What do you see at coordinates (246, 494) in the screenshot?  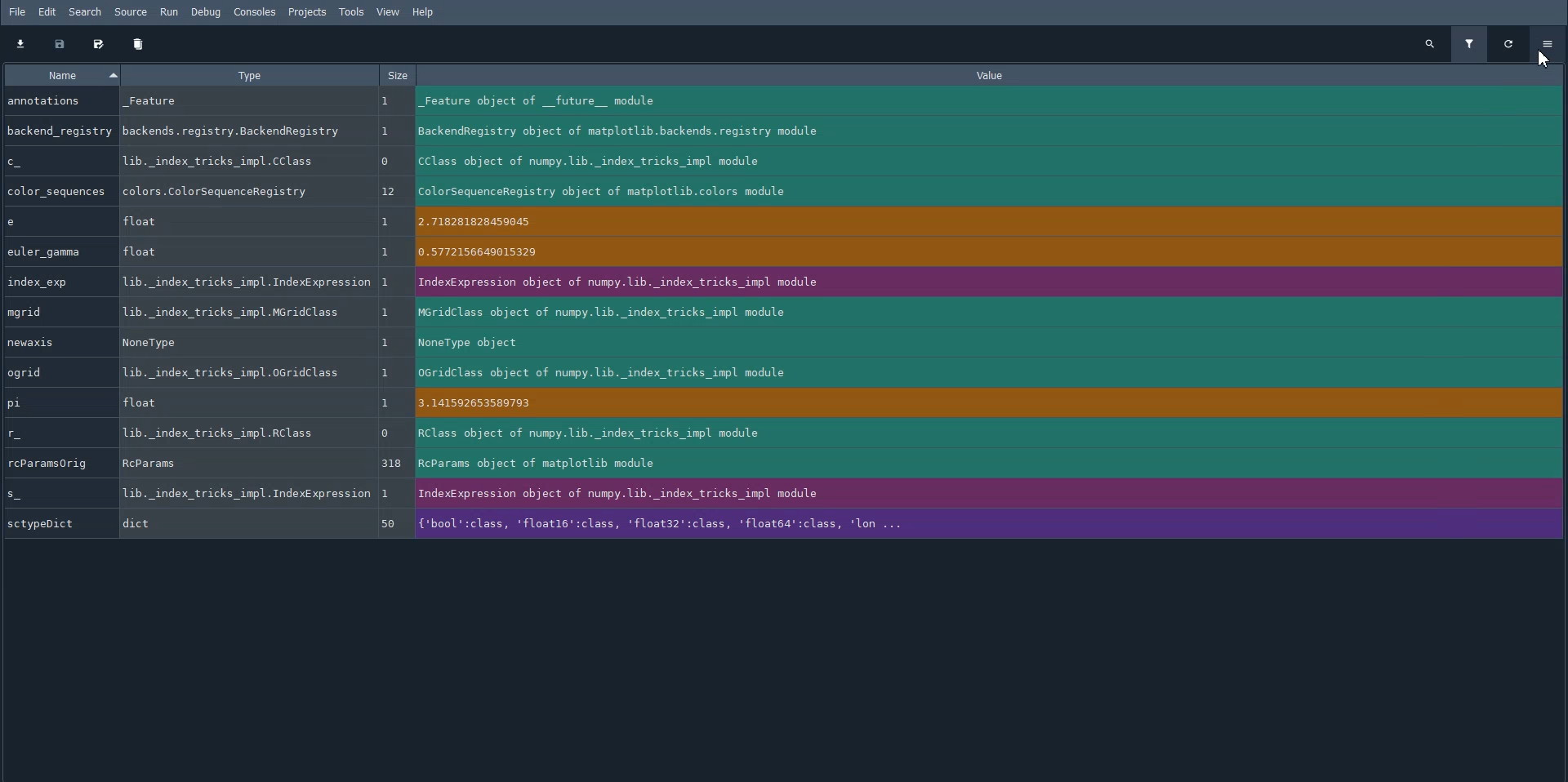 I see `type value` at bounding box center [246, 494].